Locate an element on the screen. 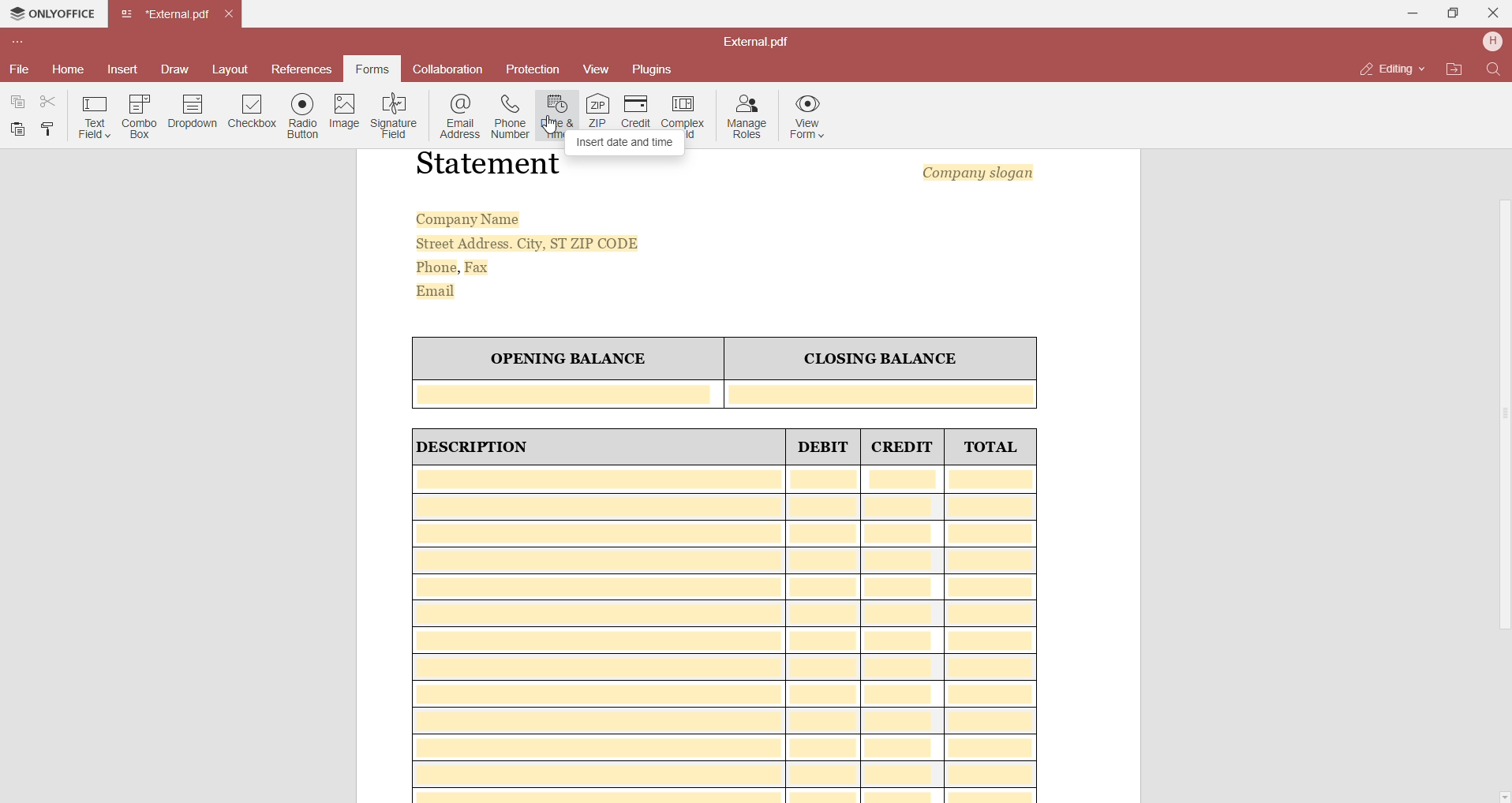  Minimize is located at coordinates (1407, 13).